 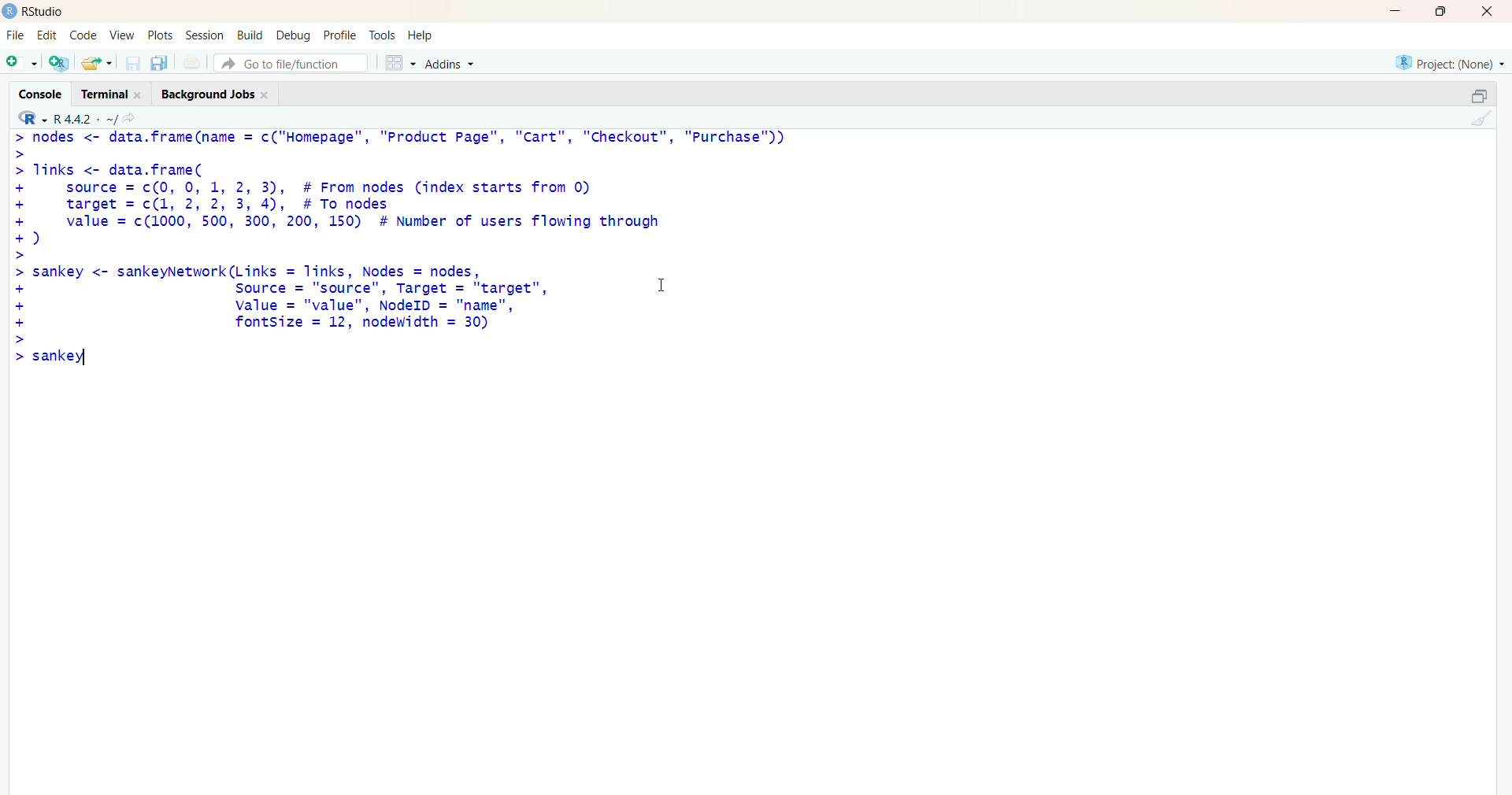 I want to click on copy, so click(x=1468, y=93).